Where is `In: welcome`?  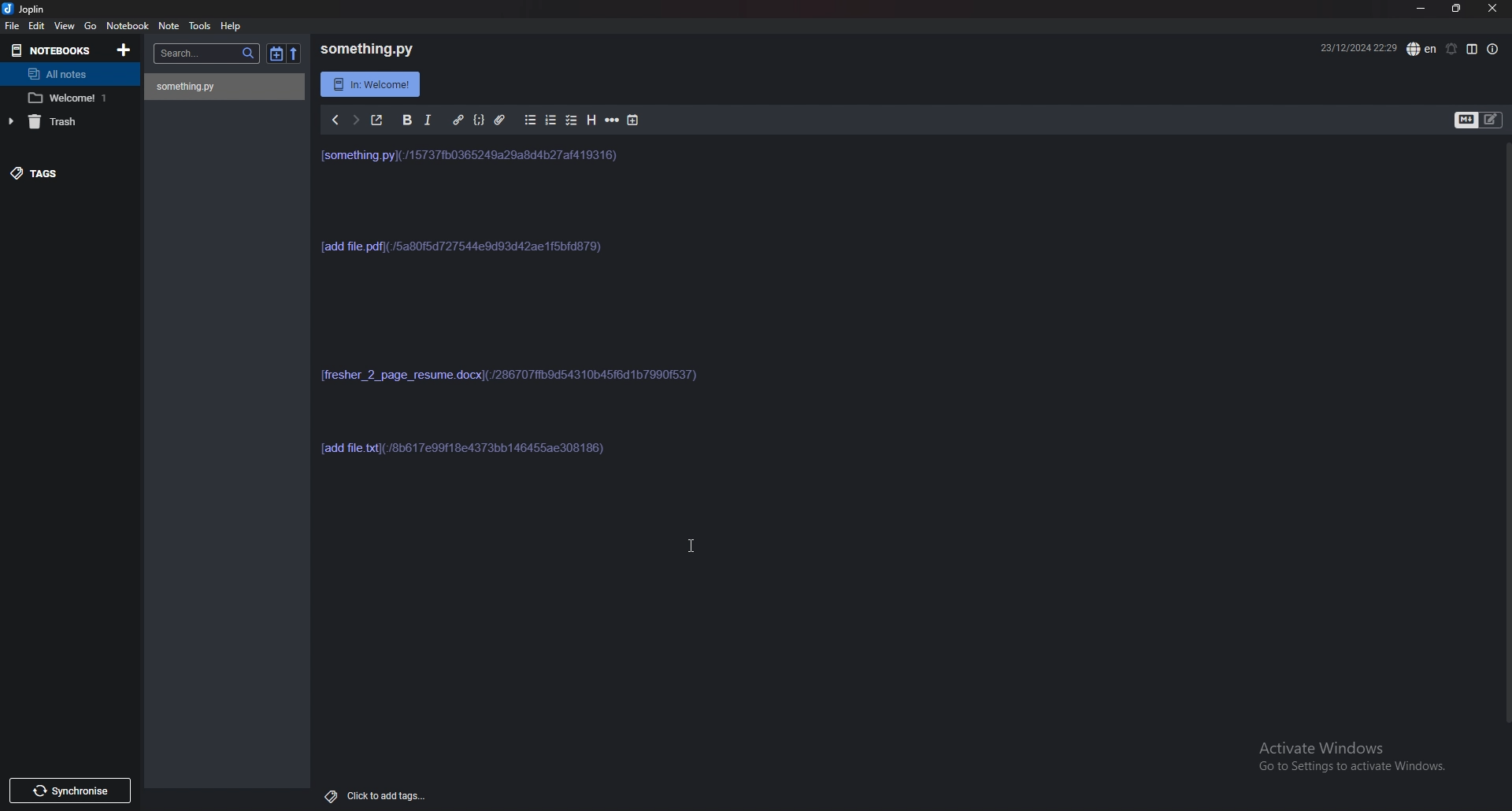
In: welcome is located at coordinates (372, 83).